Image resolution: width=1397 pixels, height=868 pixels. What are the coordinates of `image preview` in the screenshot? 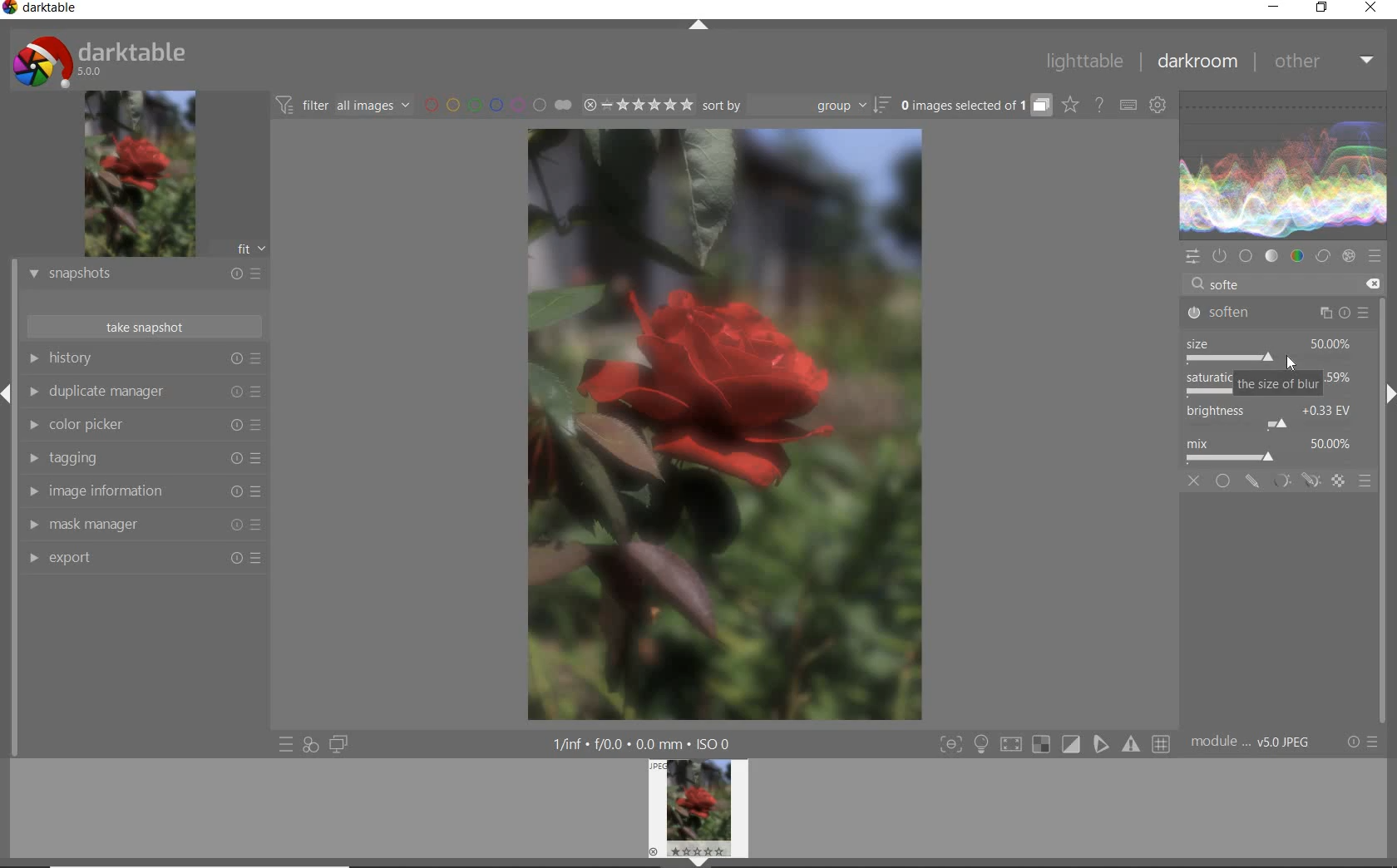 It's located at (698, 813).